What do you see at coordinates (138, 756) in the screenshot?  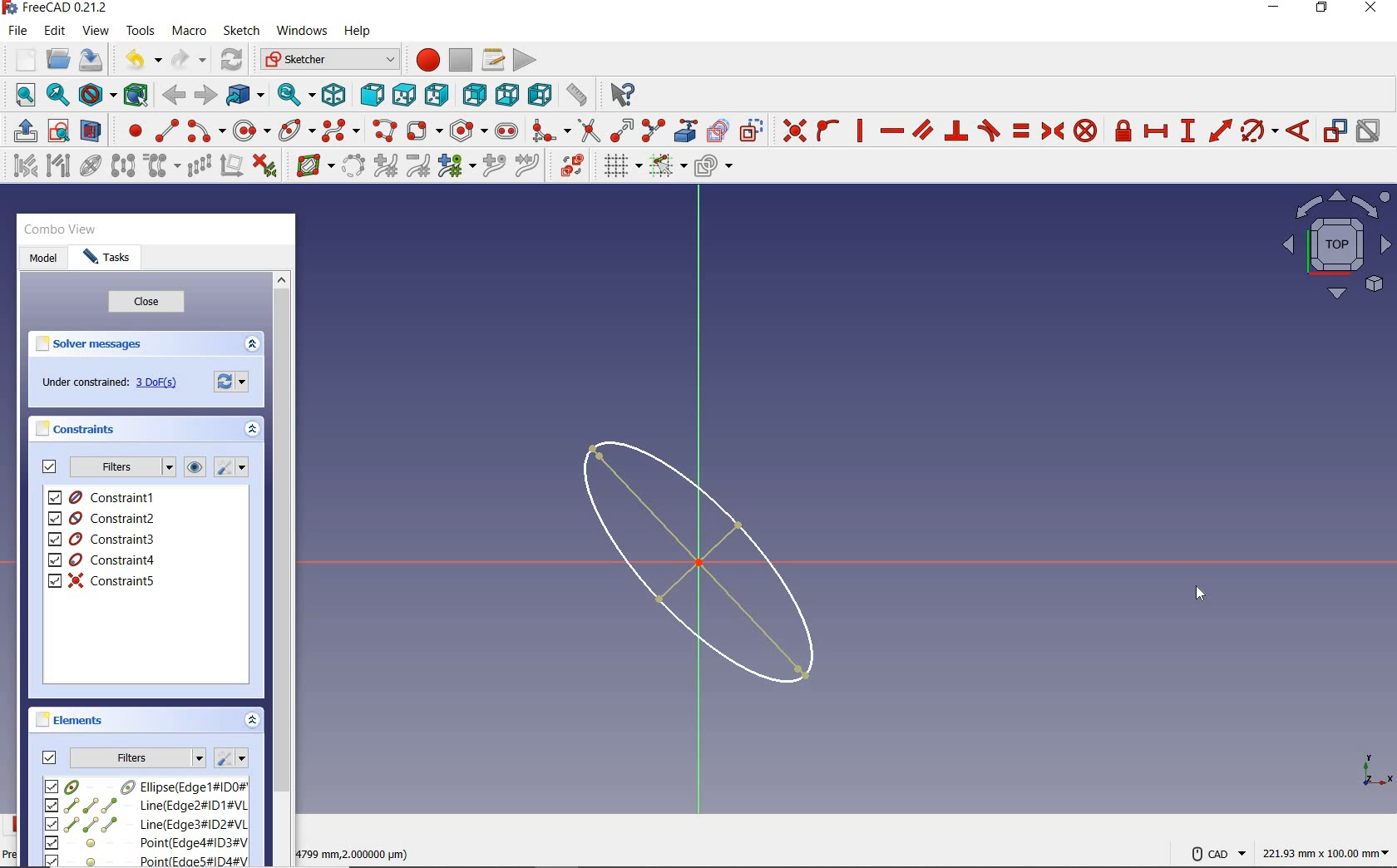 I see `filters` at bounding box center [138, 756].